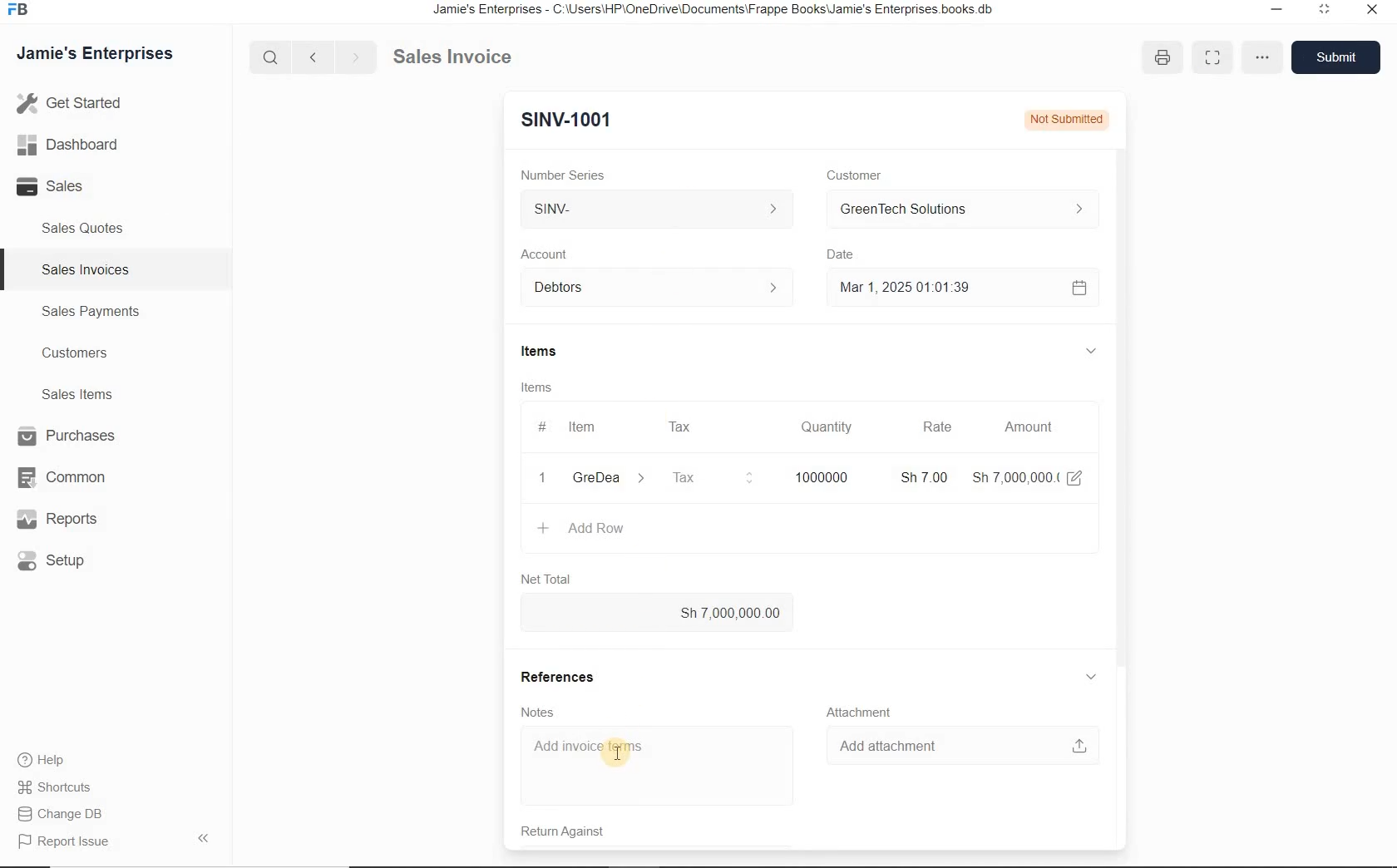 The width and height of the screenshot is (1397, 868). What do you see at coordinates (960, 743) in the screenshot?
I see `‘Add attachment` at bounding box center [960, 743].